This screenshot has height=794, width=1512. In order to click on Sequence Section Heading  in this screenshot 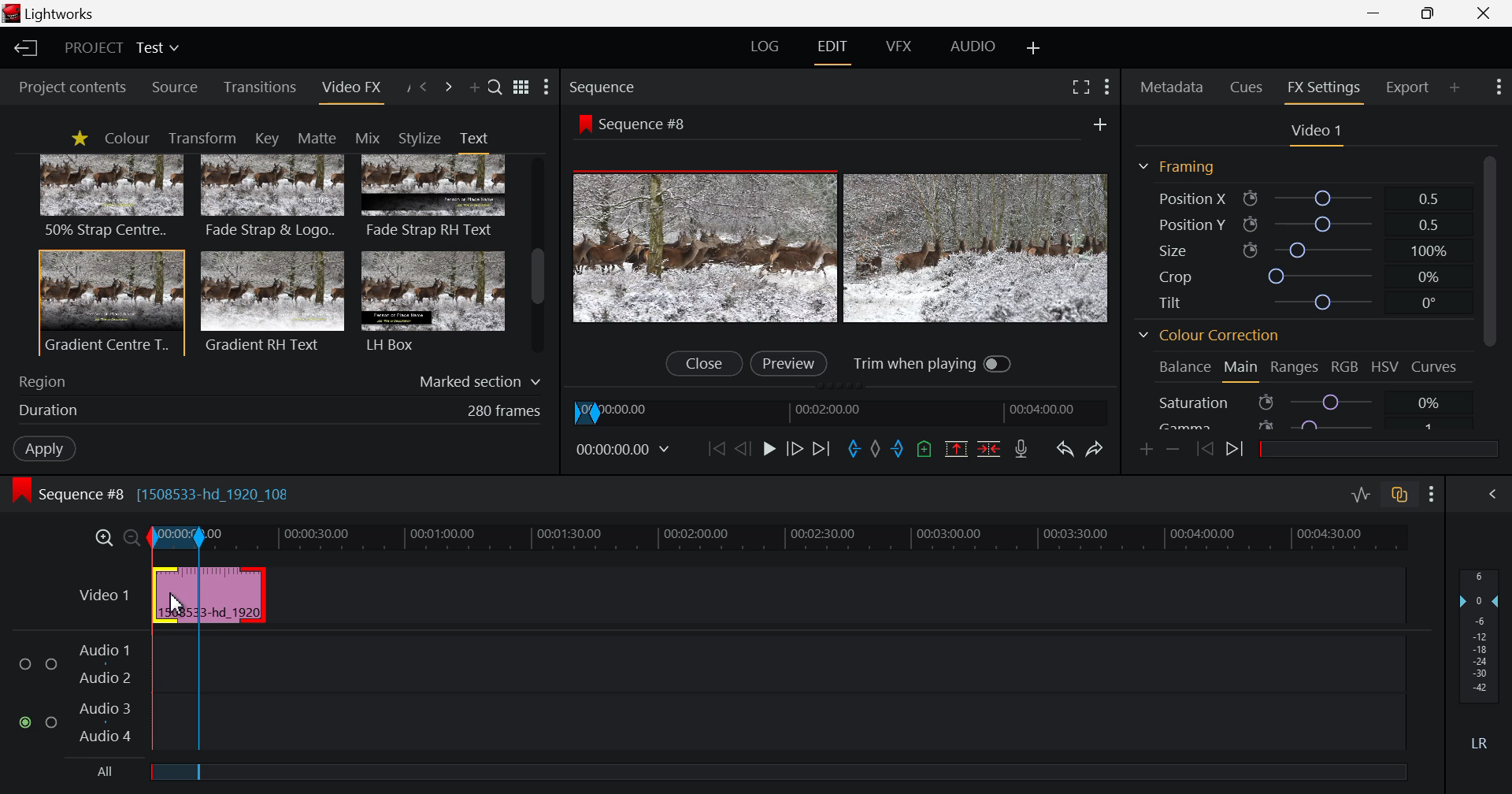, I will do `click(668, 86)`.